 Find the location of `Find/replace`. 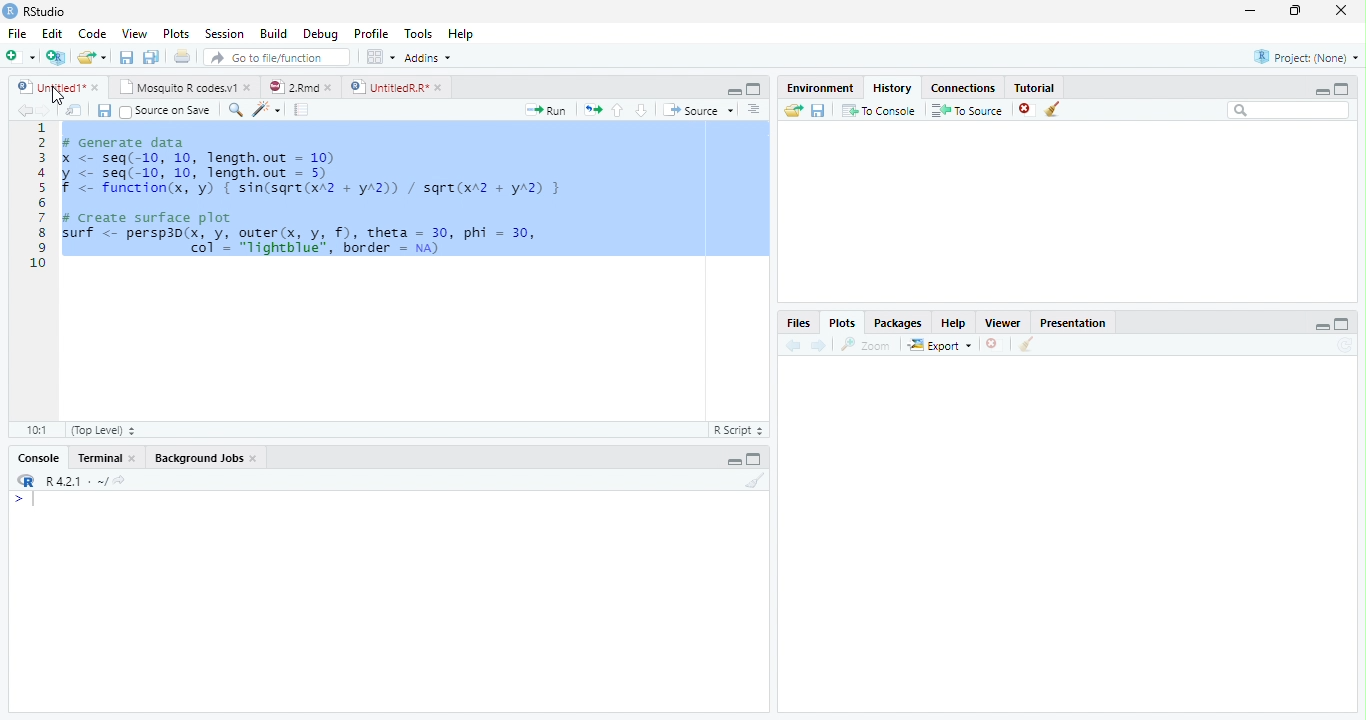

Find/replace is located at coordinates (234, 110).